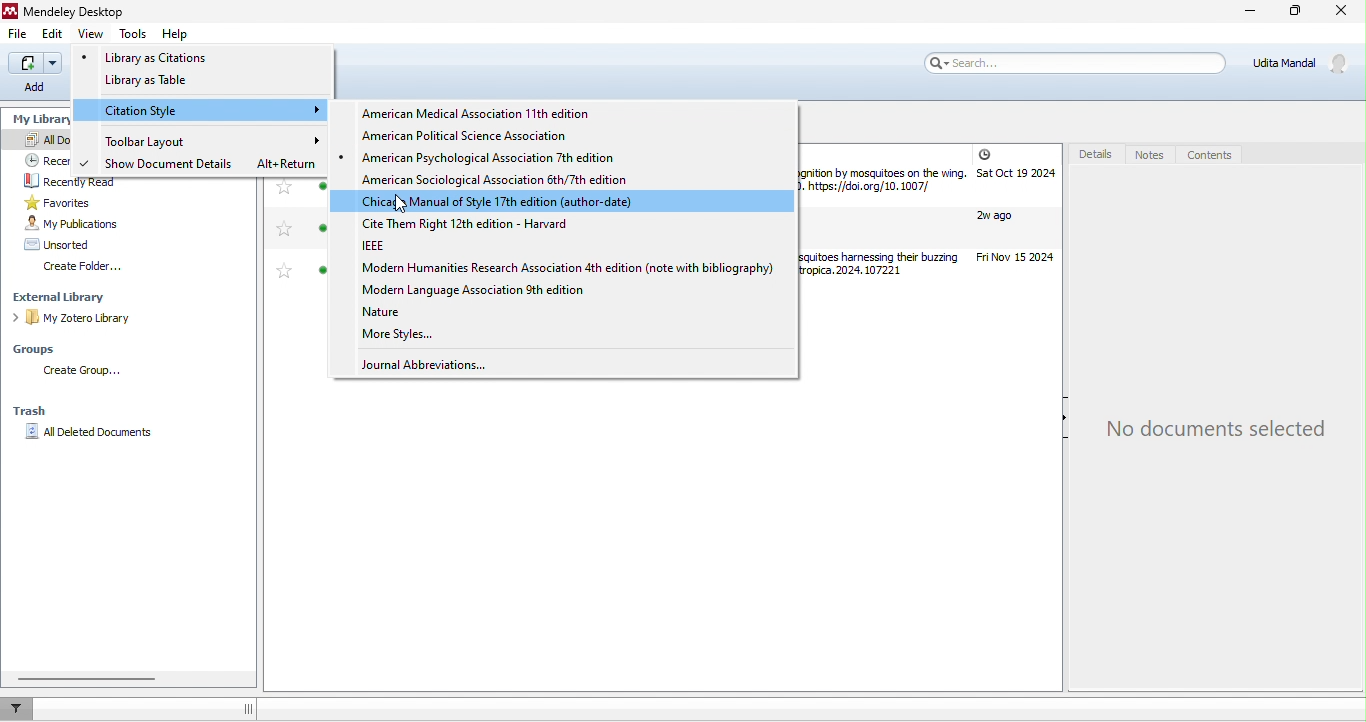 Image resolution: width=1366 pixels, height=722 pixels. I want to click on groups, so click(41, 350).